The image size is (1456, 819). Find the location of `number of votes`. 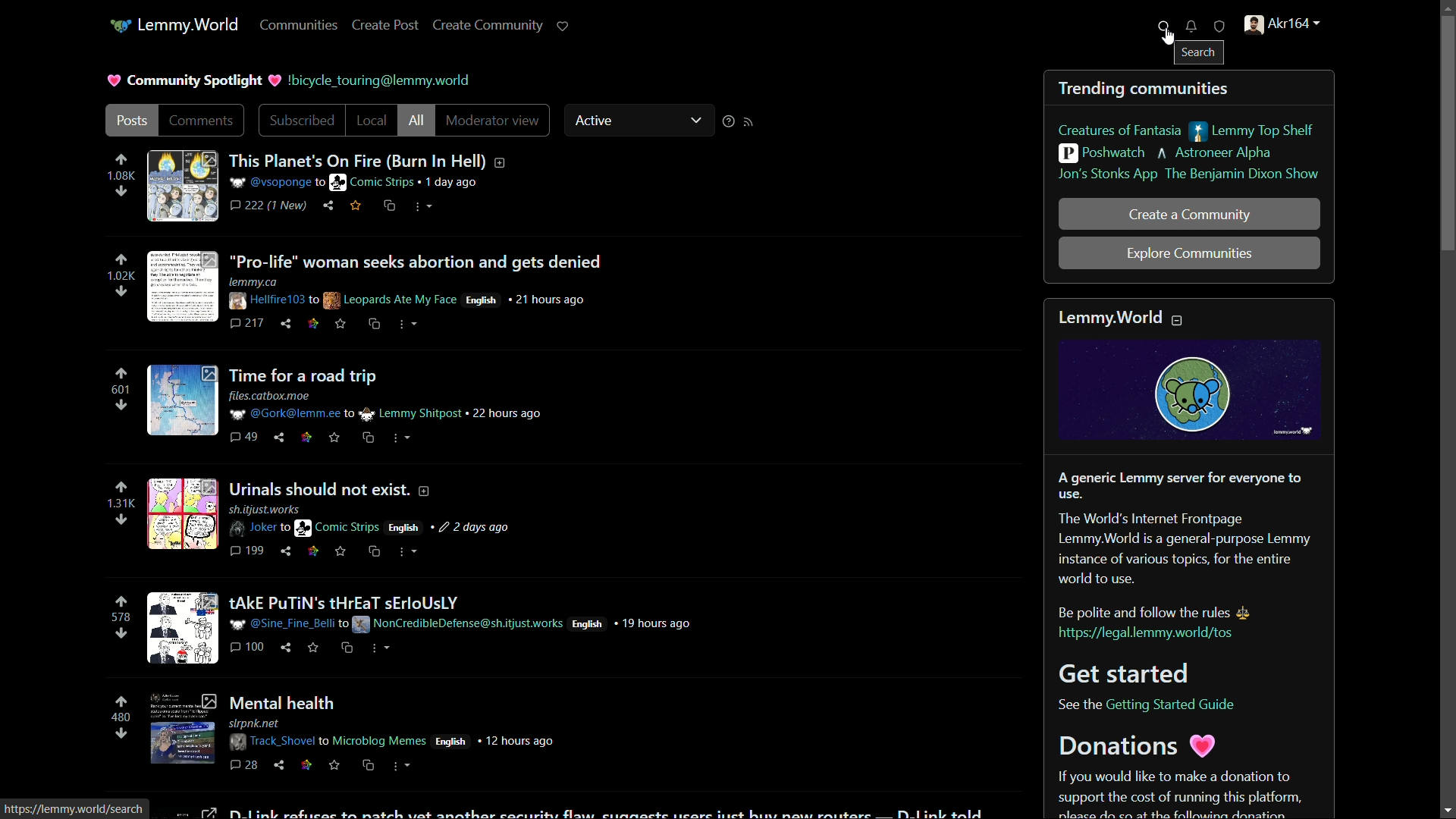

number of votes is located at coordinates (122, 391).